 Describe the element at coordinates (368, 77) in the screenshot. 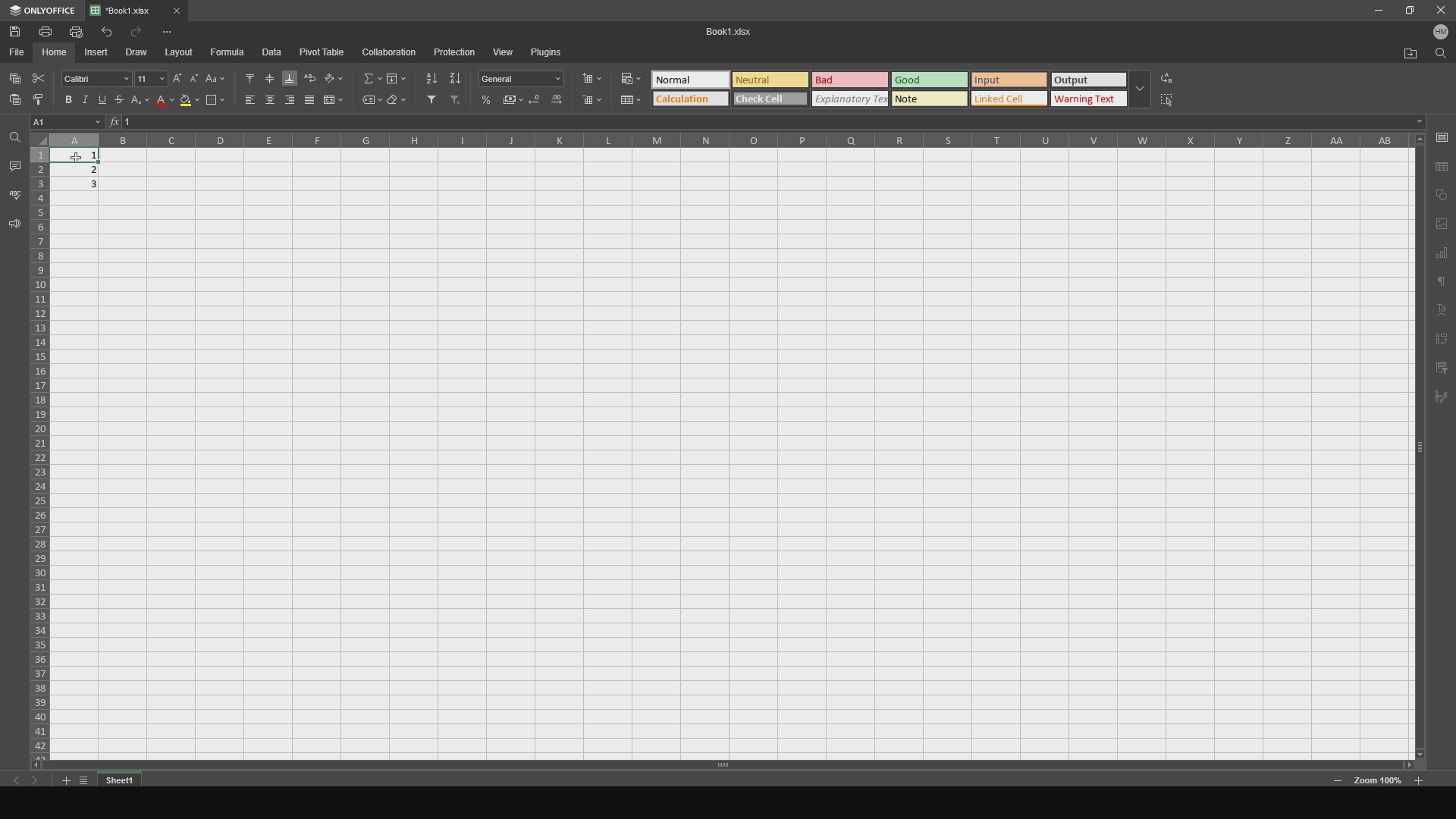

I see `summation` at that location.